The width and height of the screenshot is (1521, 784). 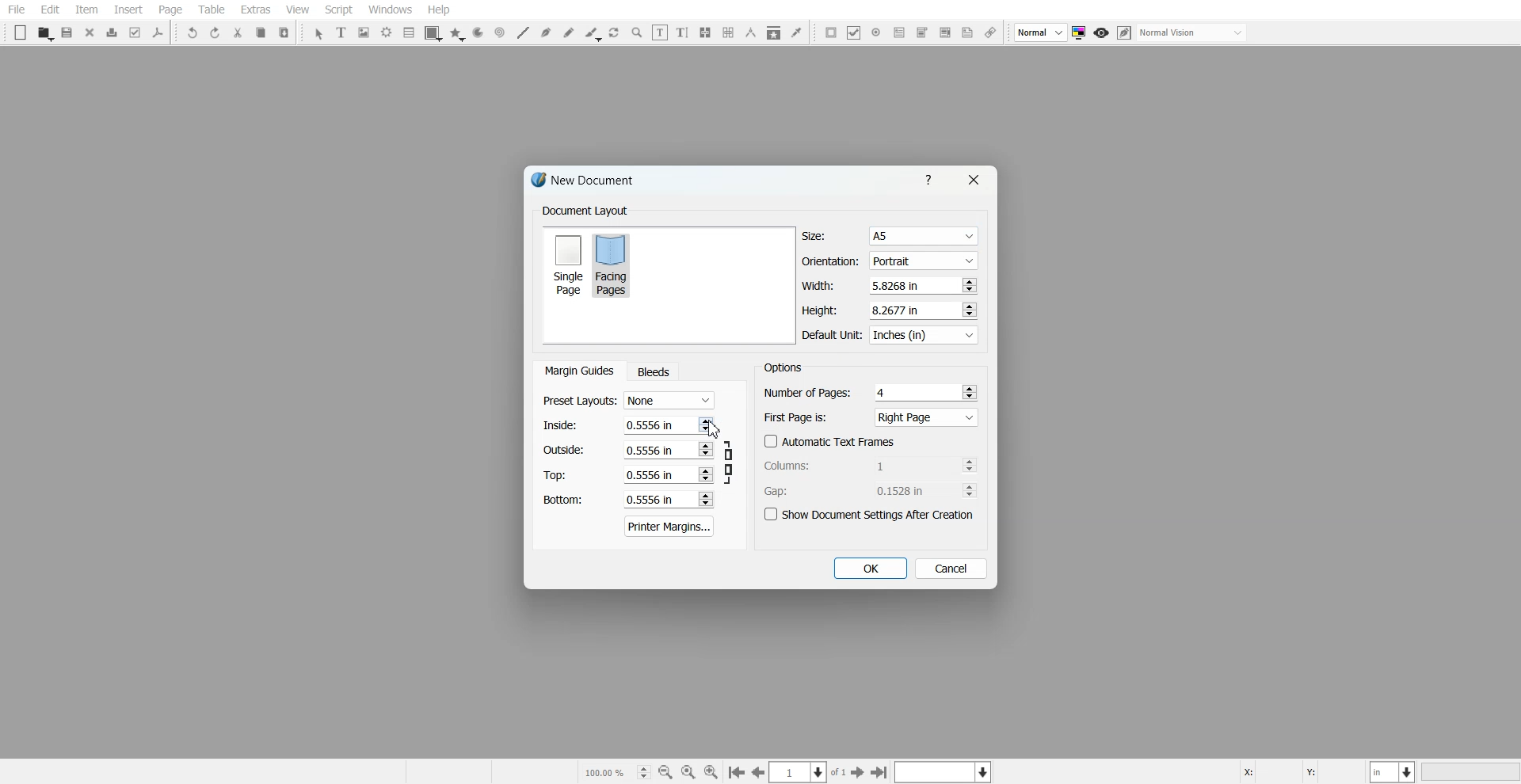 What do you see at coordinates (967, 310) in the screenshot?
I see `Increase and decrease No. ` at bounding box center [967, 310].